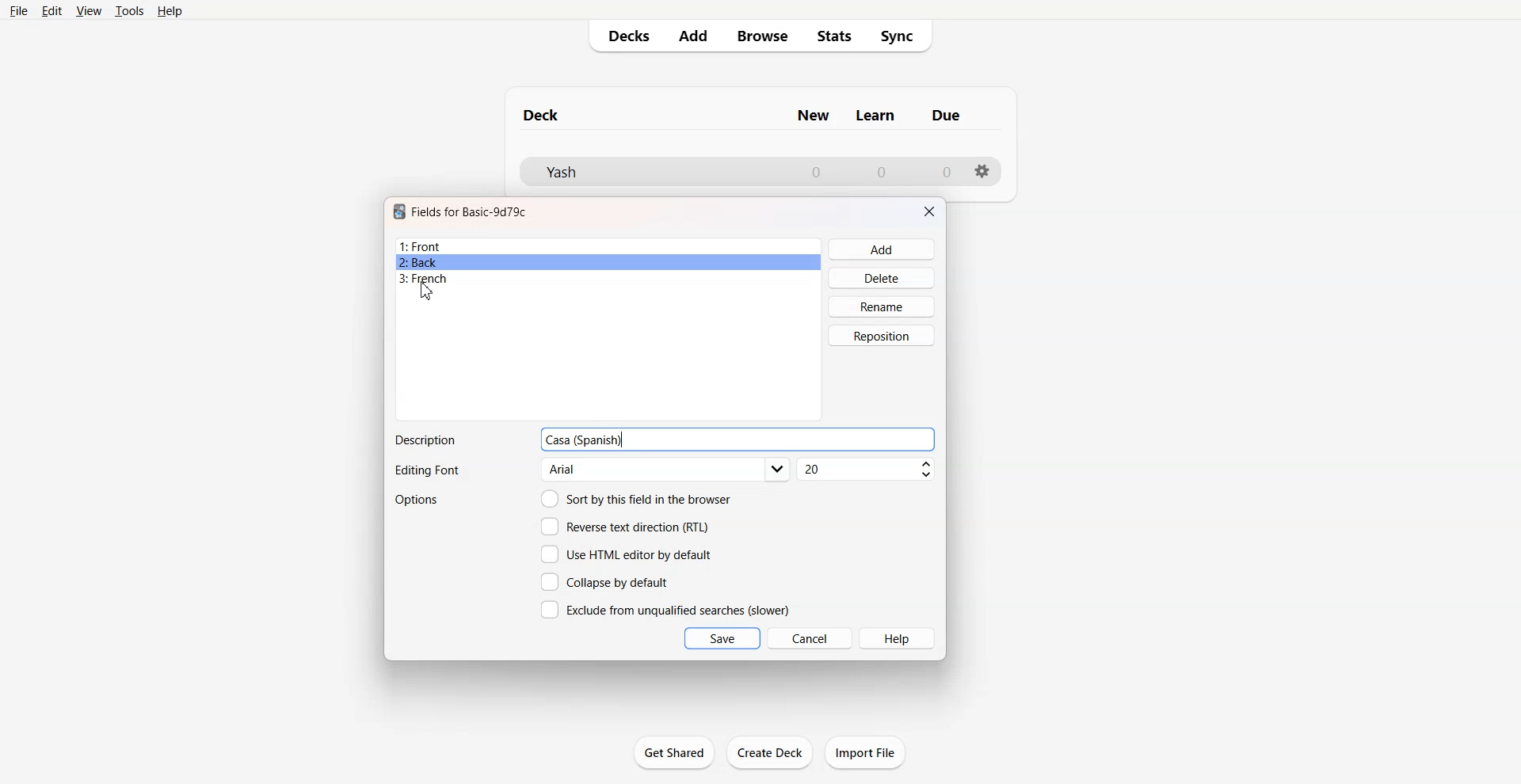 Image resolution: width=1521 pixels, height=784 pixels. What do you see at coordinates (623, 36) in the screenshot?
I see `Decks` at bounding box center [623, 36].